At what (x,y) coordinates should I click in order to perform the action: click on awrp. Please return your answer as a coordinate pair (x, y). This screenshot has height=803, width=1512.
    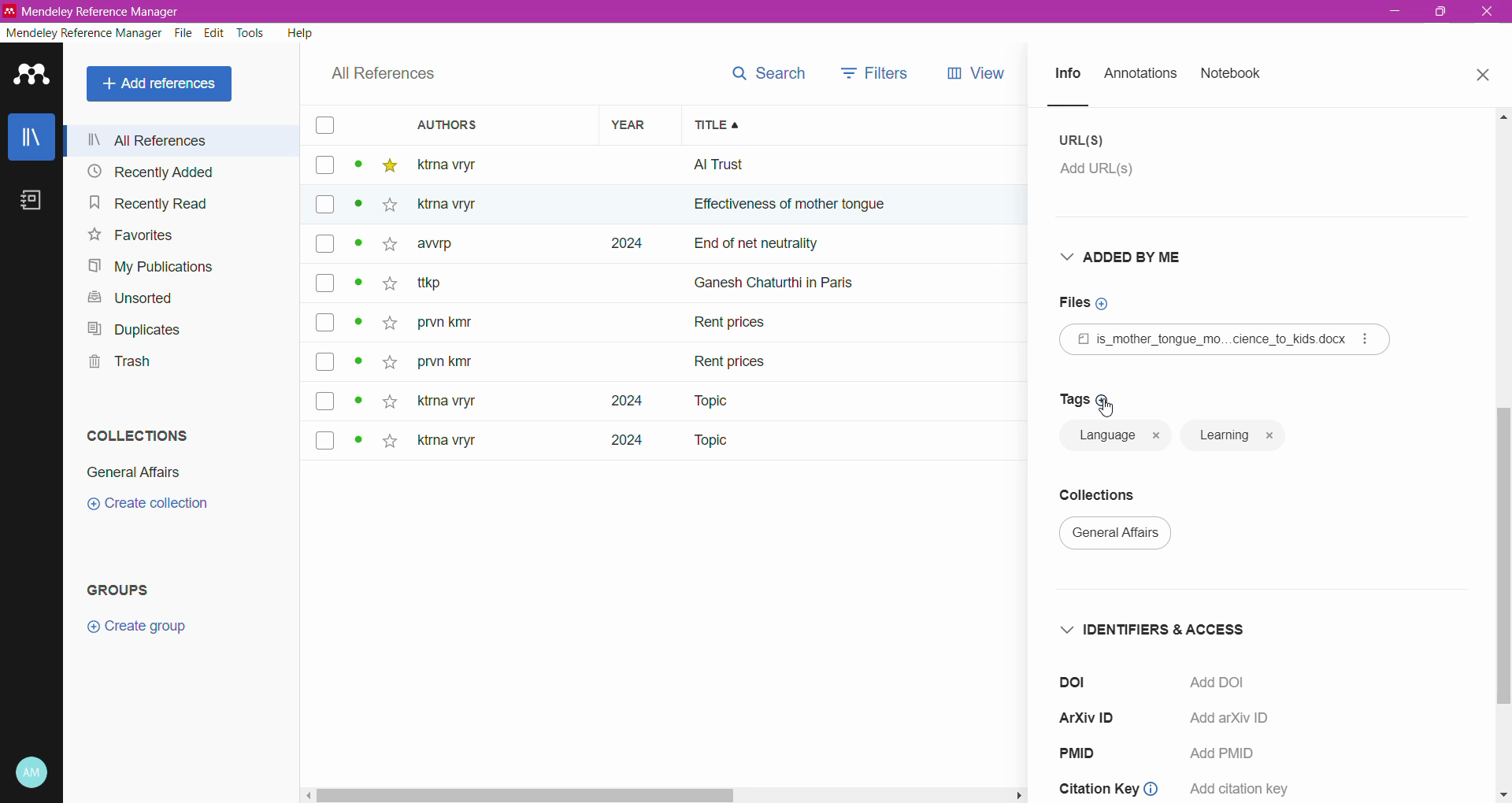
    Looking at the image, I should click on (447, 249).